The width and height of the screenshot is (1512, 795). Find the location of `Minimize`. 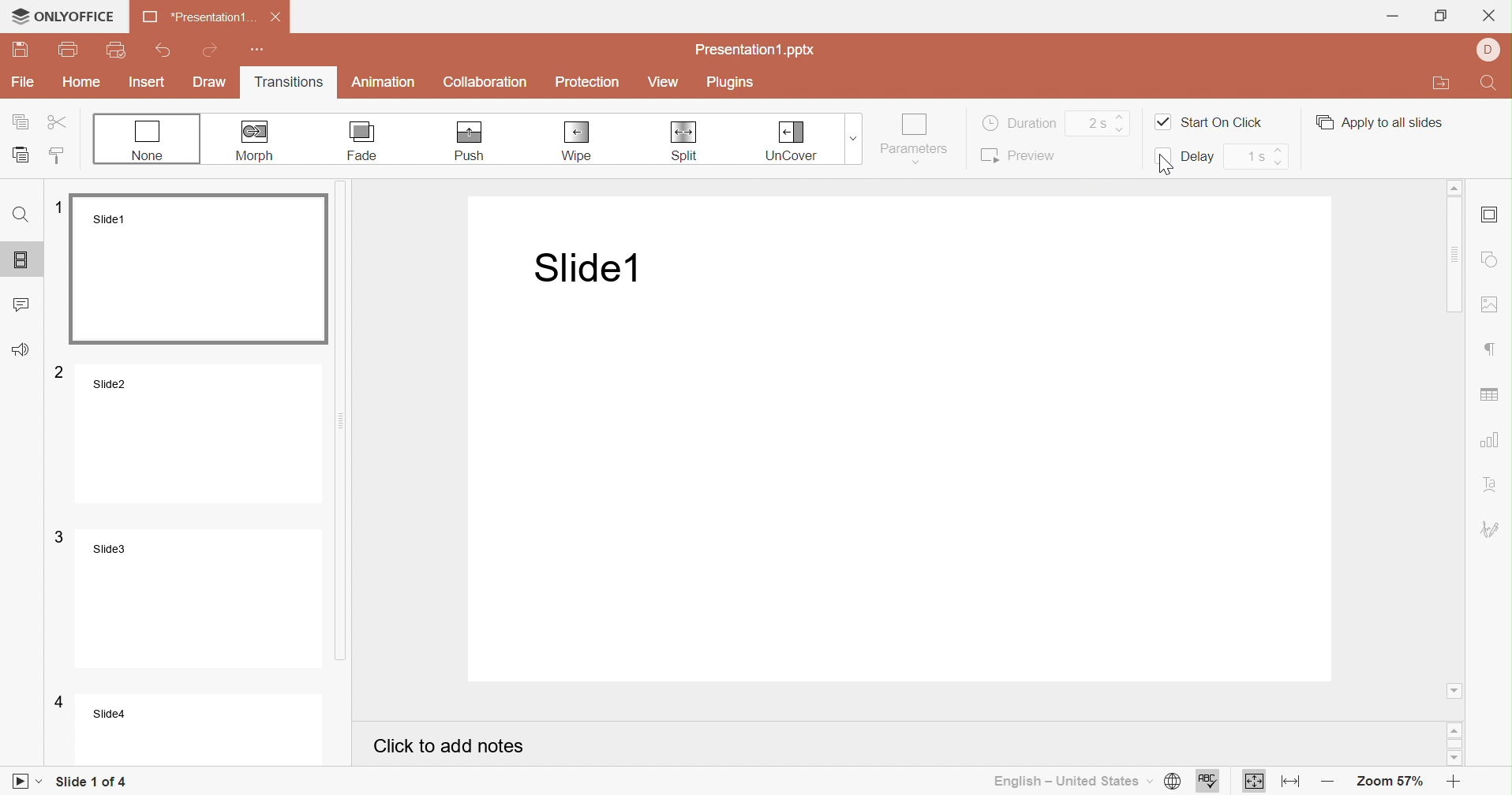

Minimize is located at coordinates (1392, 15).